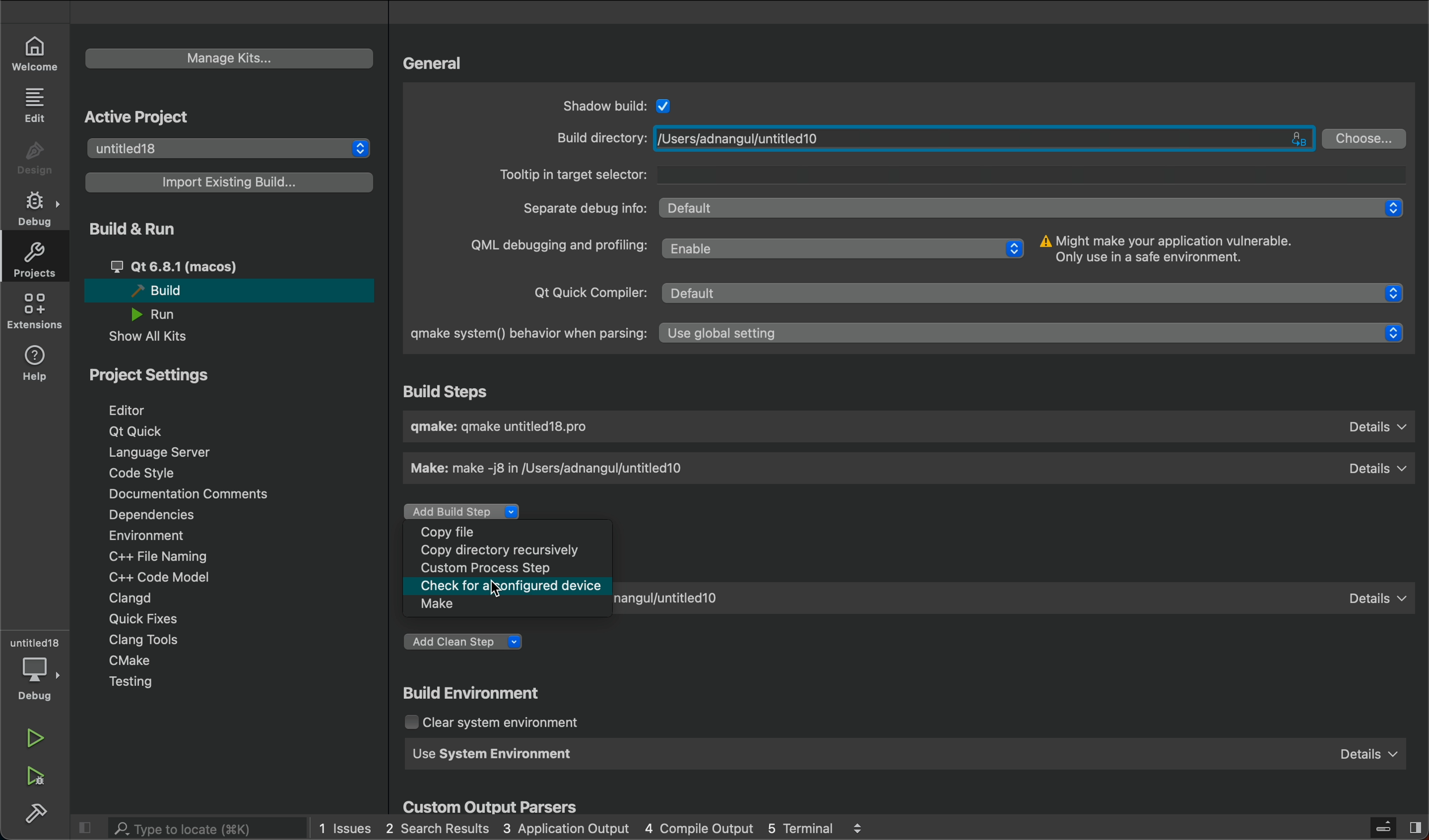 Image resolution: width=1429 pixels, height=840 pixels. I want to click on help, so click(37, 360).